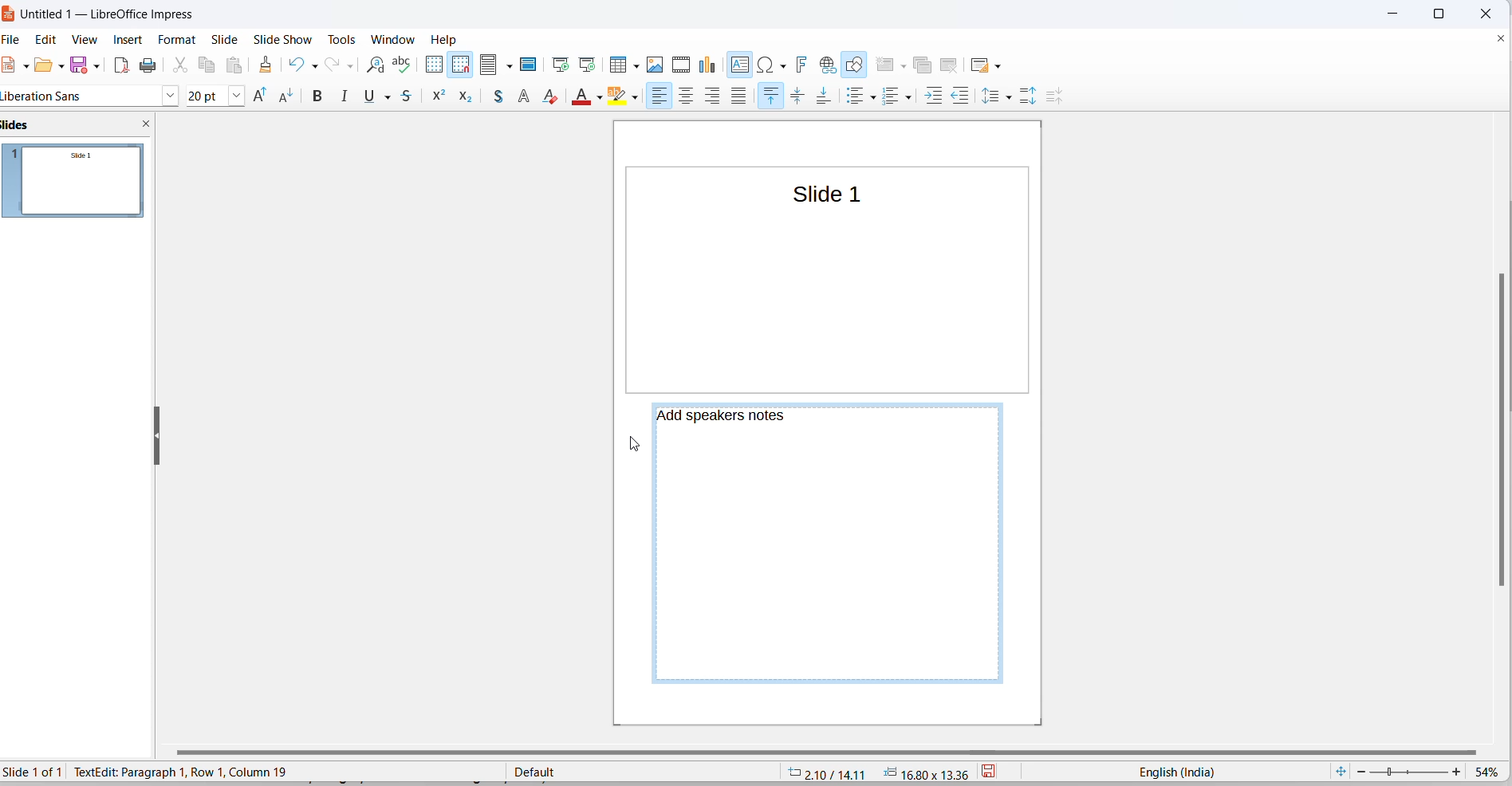 The height and width of the screenshot is (786, 1512). What do you see at coordinates (826, 97) in the screenshot?
I see `toggle endpoint edit mode` at bounding box center [826, 97].